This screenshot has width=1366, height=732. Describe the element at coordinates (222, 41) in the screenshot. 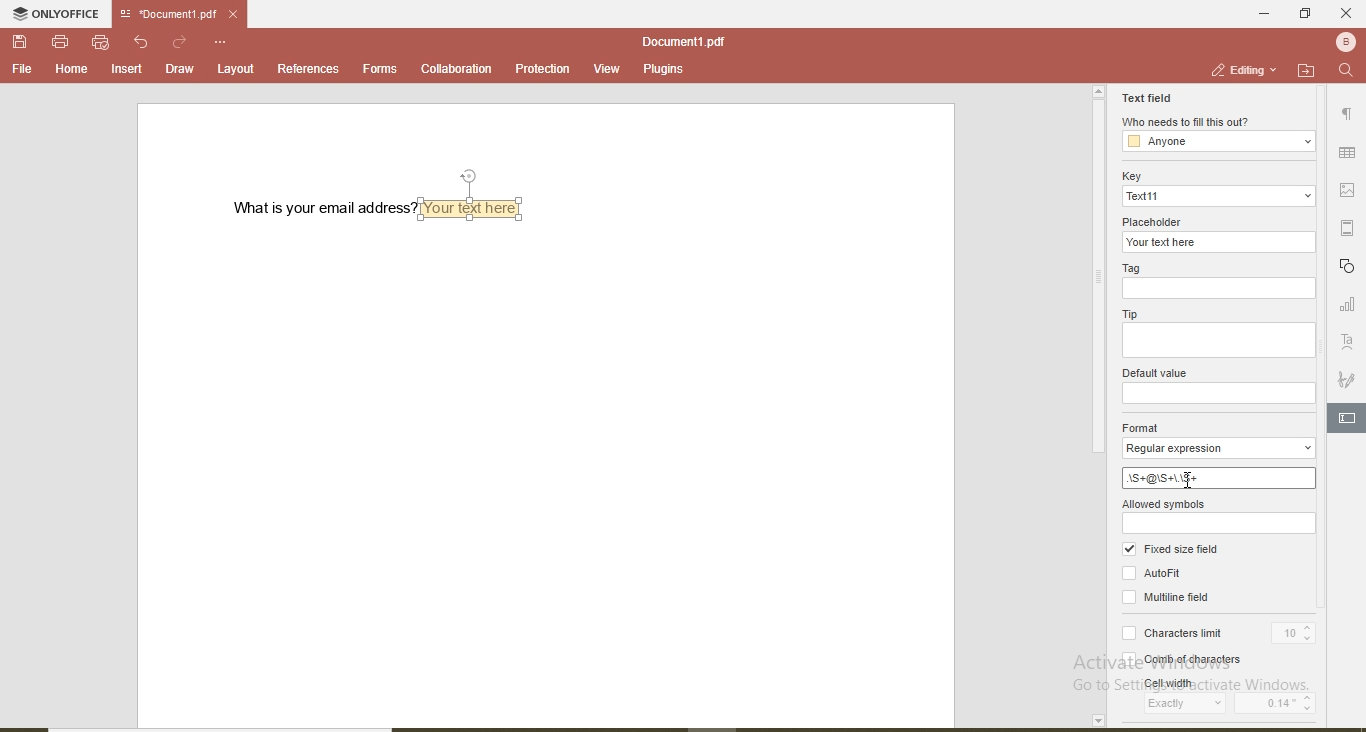

I see `customise quick access toolbar` at that location.